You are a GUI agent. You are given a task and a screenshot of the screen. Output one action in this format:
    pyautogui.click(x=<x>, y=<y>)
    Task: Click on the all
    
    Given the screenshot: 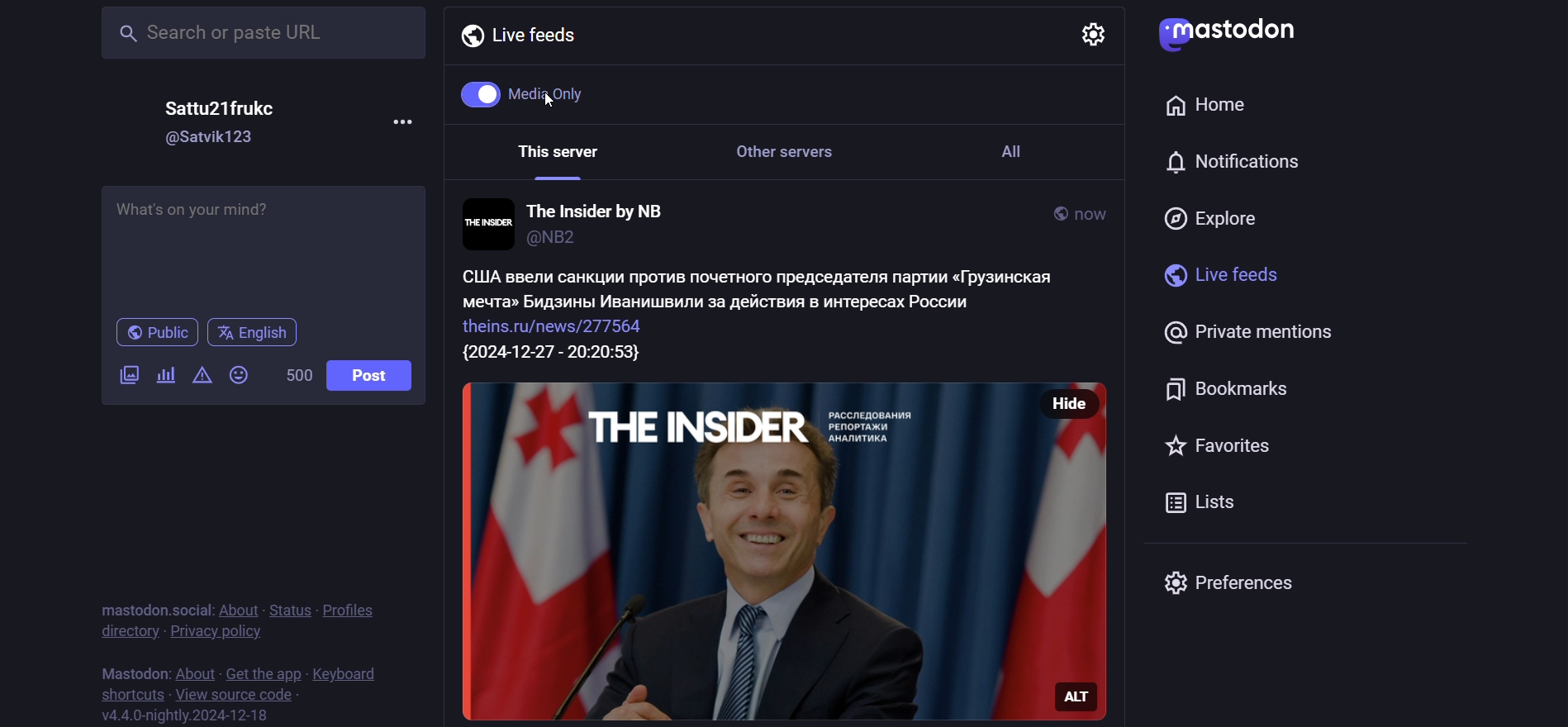 What is the action you would take?
    pyautogui.click(x=1022, y=160)
    